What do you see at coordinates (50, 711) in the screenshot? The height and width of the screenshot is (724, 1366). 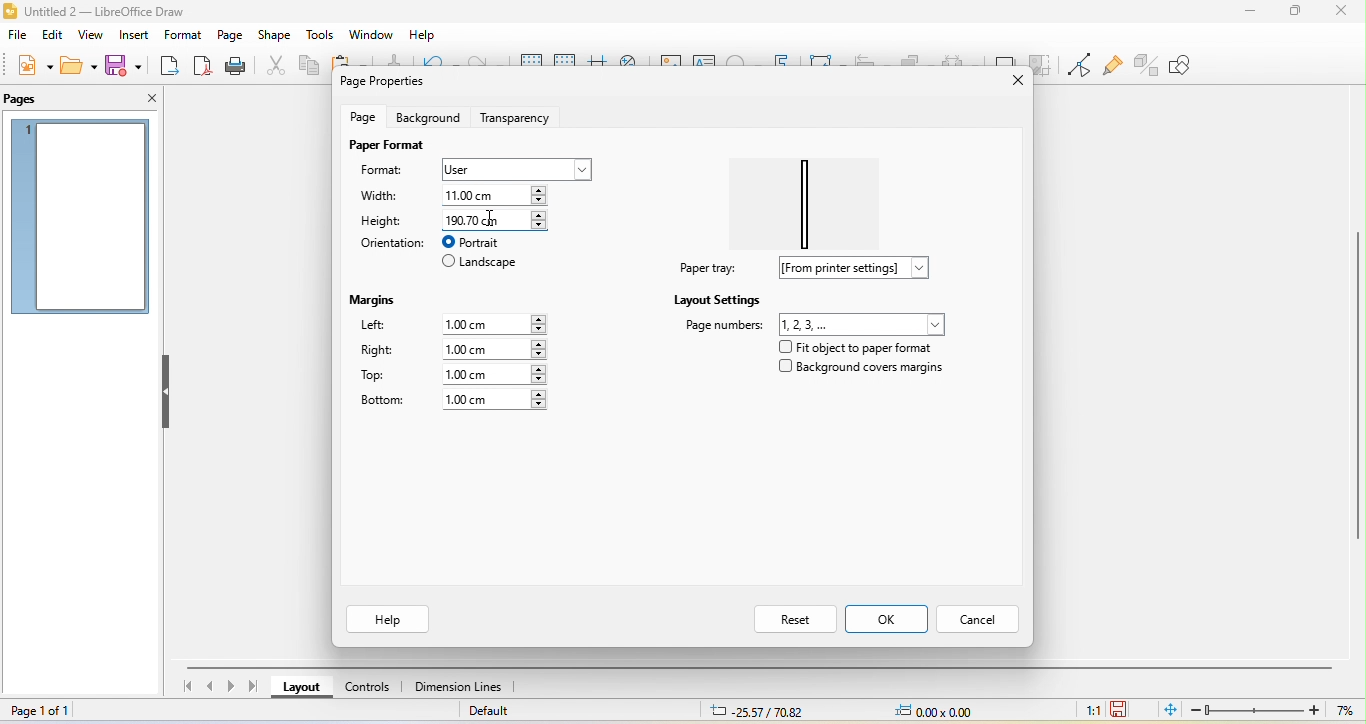 I see `page 1 of 1` at bounding box center [50, 711].